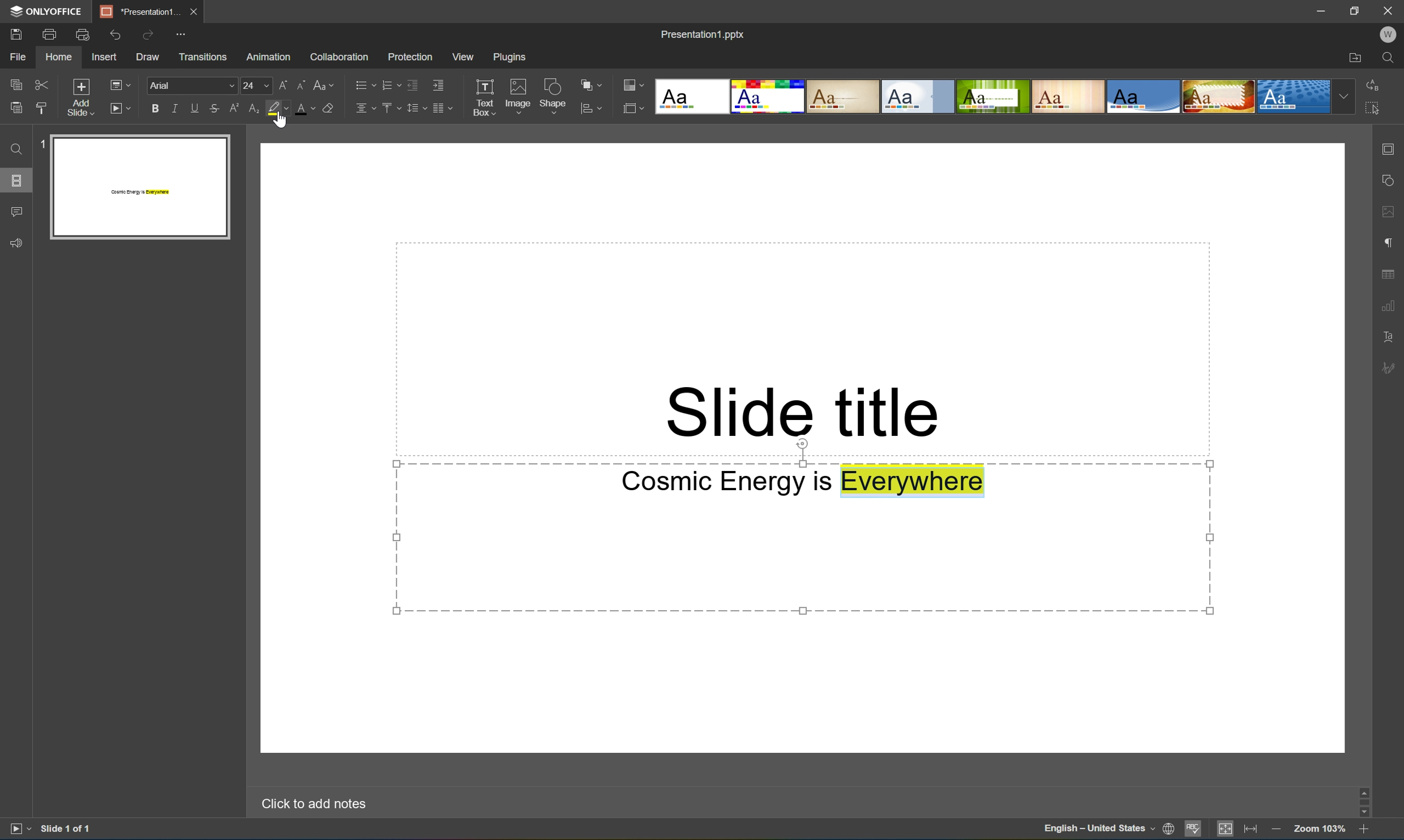 The width and height of the screenshot is (1404, 840). Describe the element at coordinates (413, 83) in the screenshot. I see `Decrease indent` at that location.